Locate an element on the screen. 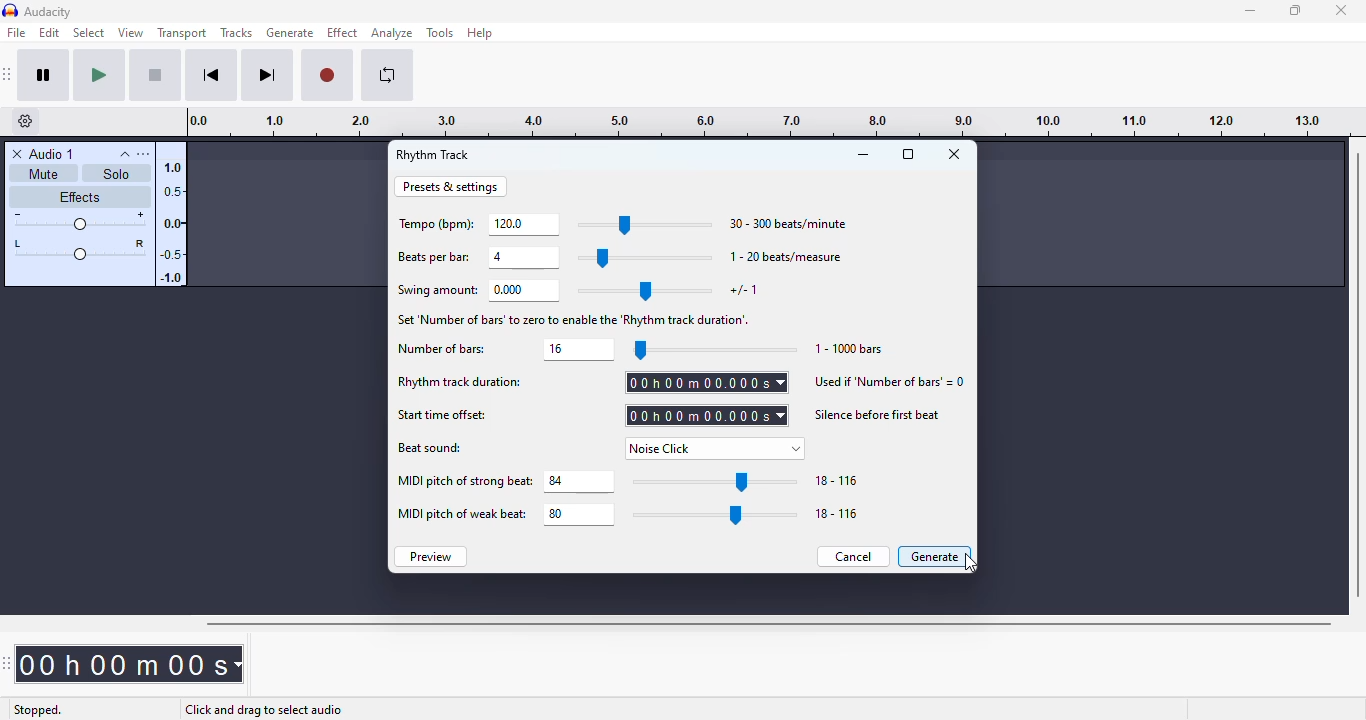 The image size is (1366, 720). amplitude is located at coordinates (171, 219).